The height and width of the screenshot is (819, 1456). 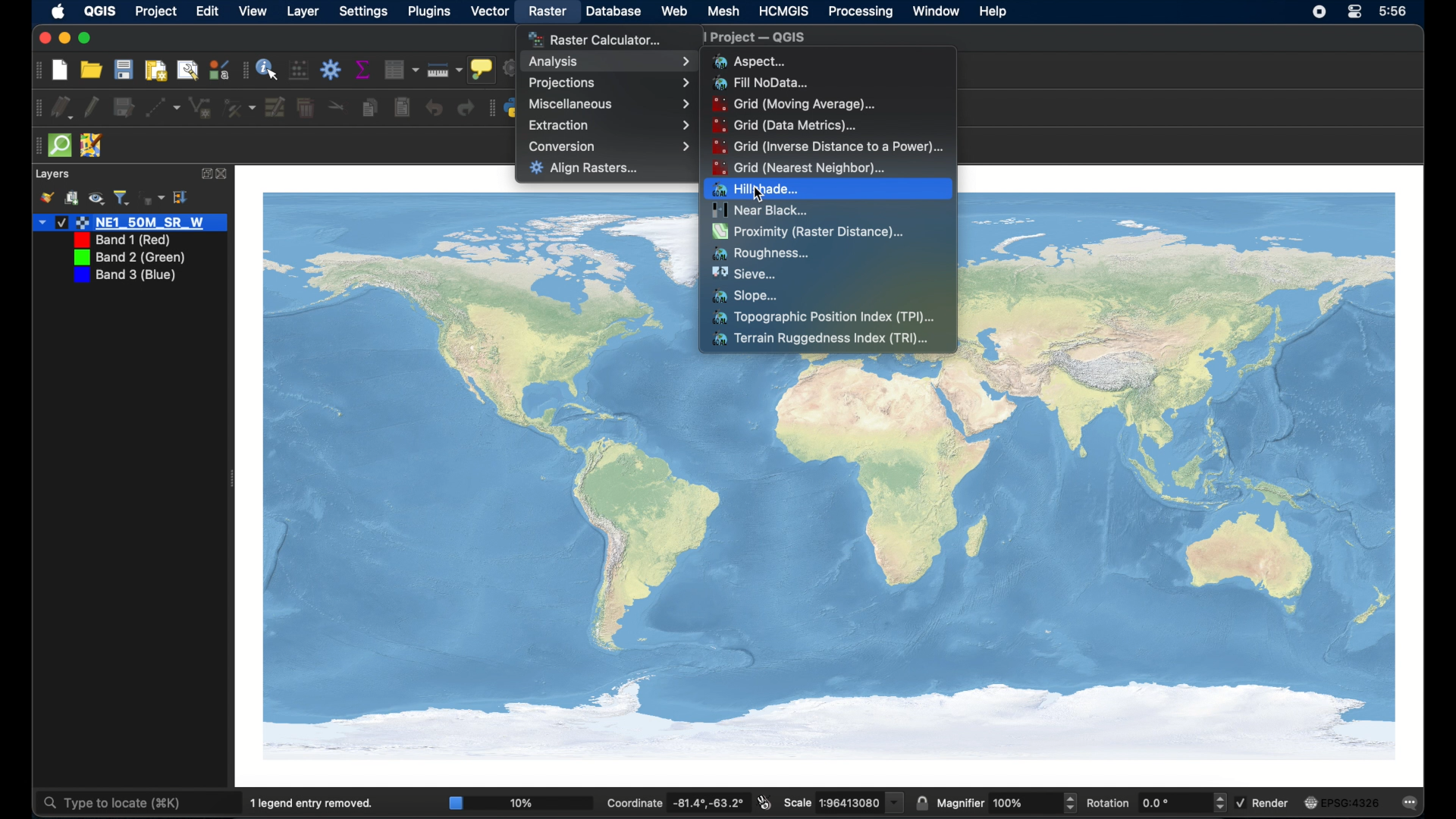 What do you see at coordinates (152, 198) in the screenshot?
I see `filter legend  by expression` at bounding box center [152, 198].